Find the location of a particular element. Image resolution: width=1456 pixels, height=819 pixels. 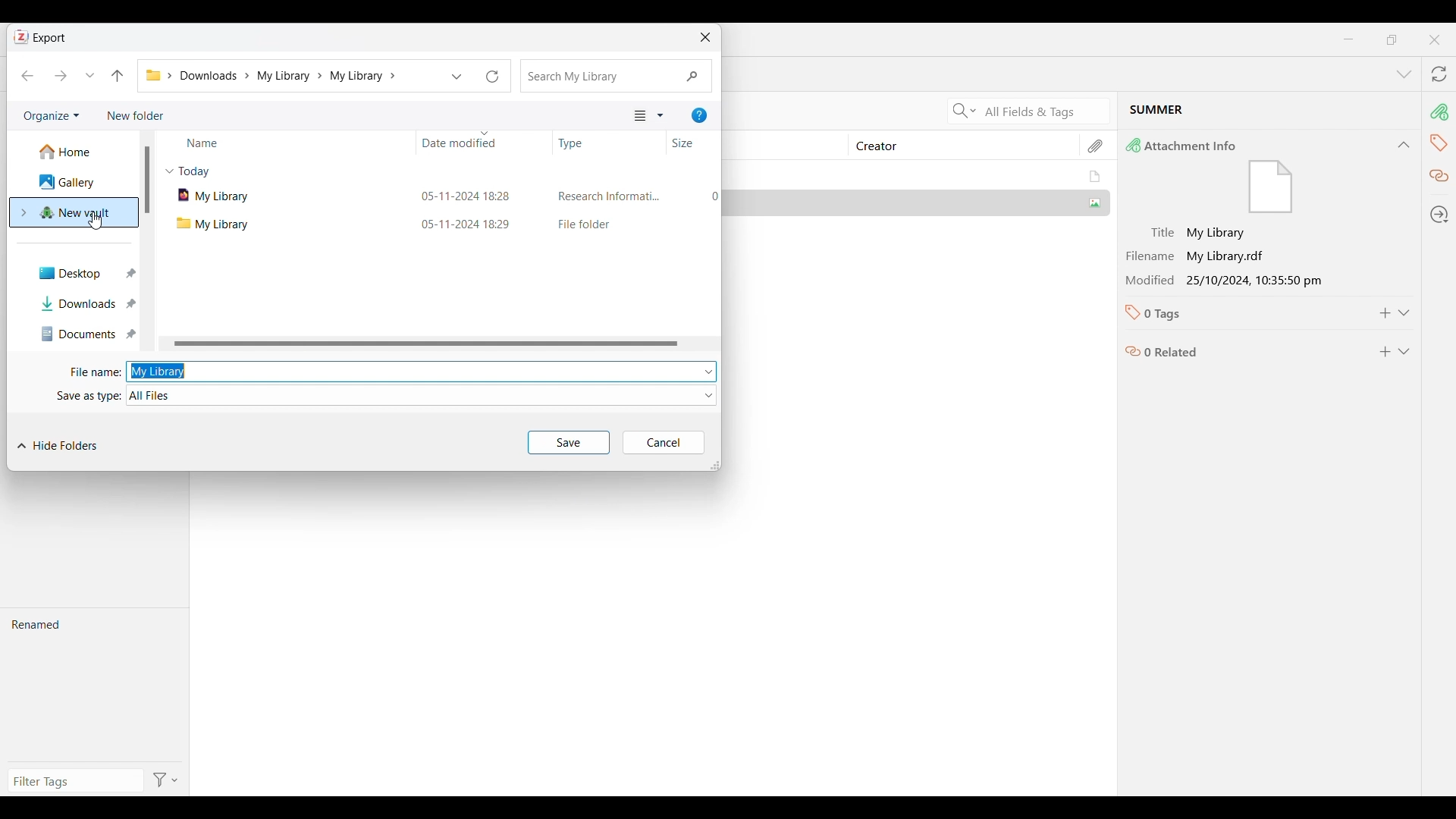

Type  is located at coordinates (583, 143).